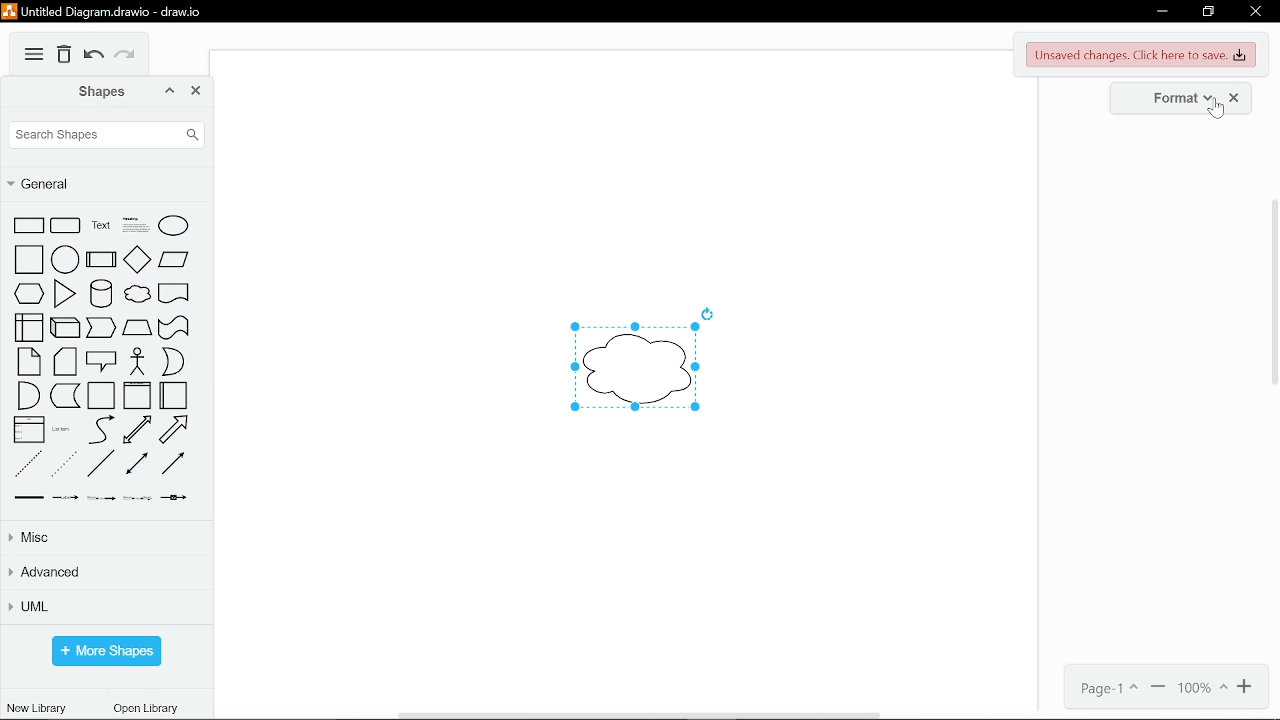  Describe the element at coordinates (28, 260) in the screenshot. I see `square` at that location.